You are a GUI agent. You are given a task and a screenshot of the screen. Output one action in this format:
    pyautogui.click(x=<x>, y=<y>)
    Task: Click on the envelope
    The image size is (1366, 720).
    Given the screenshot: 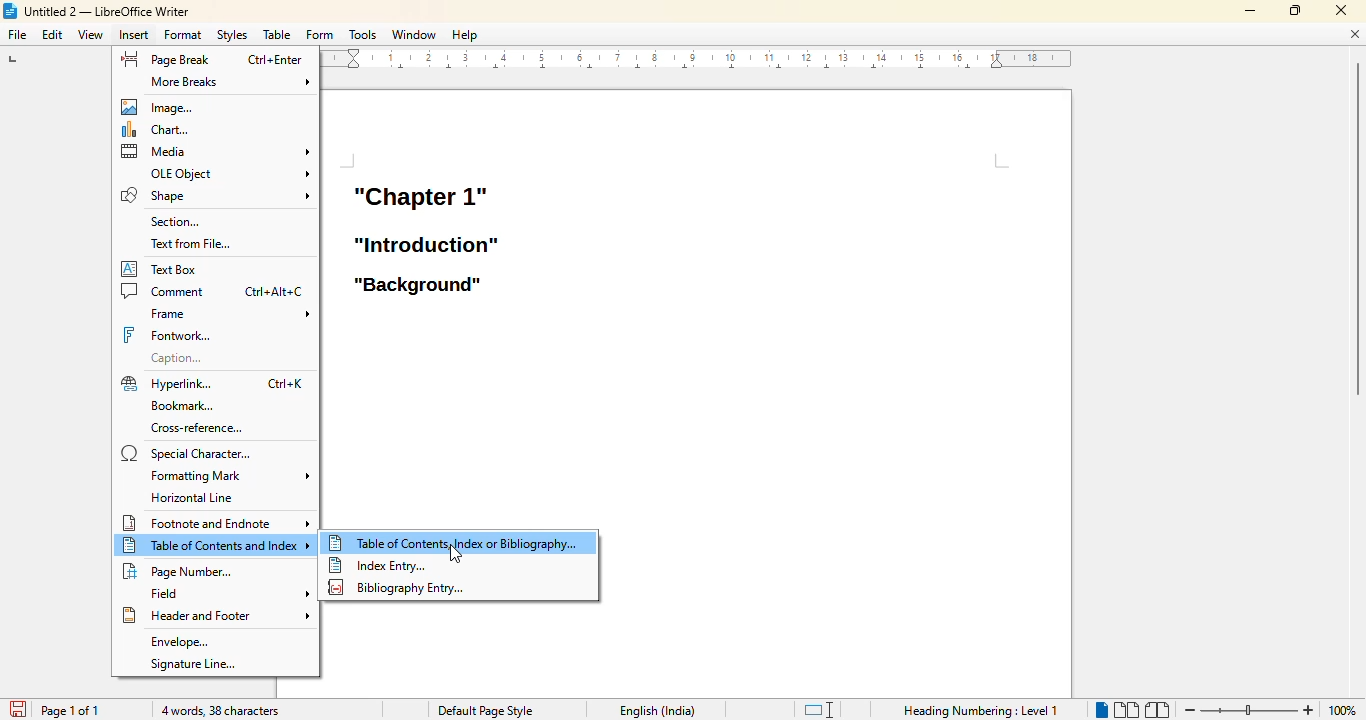 What is the action you would take?
    pyautogui.click(x=181, y=643)
    